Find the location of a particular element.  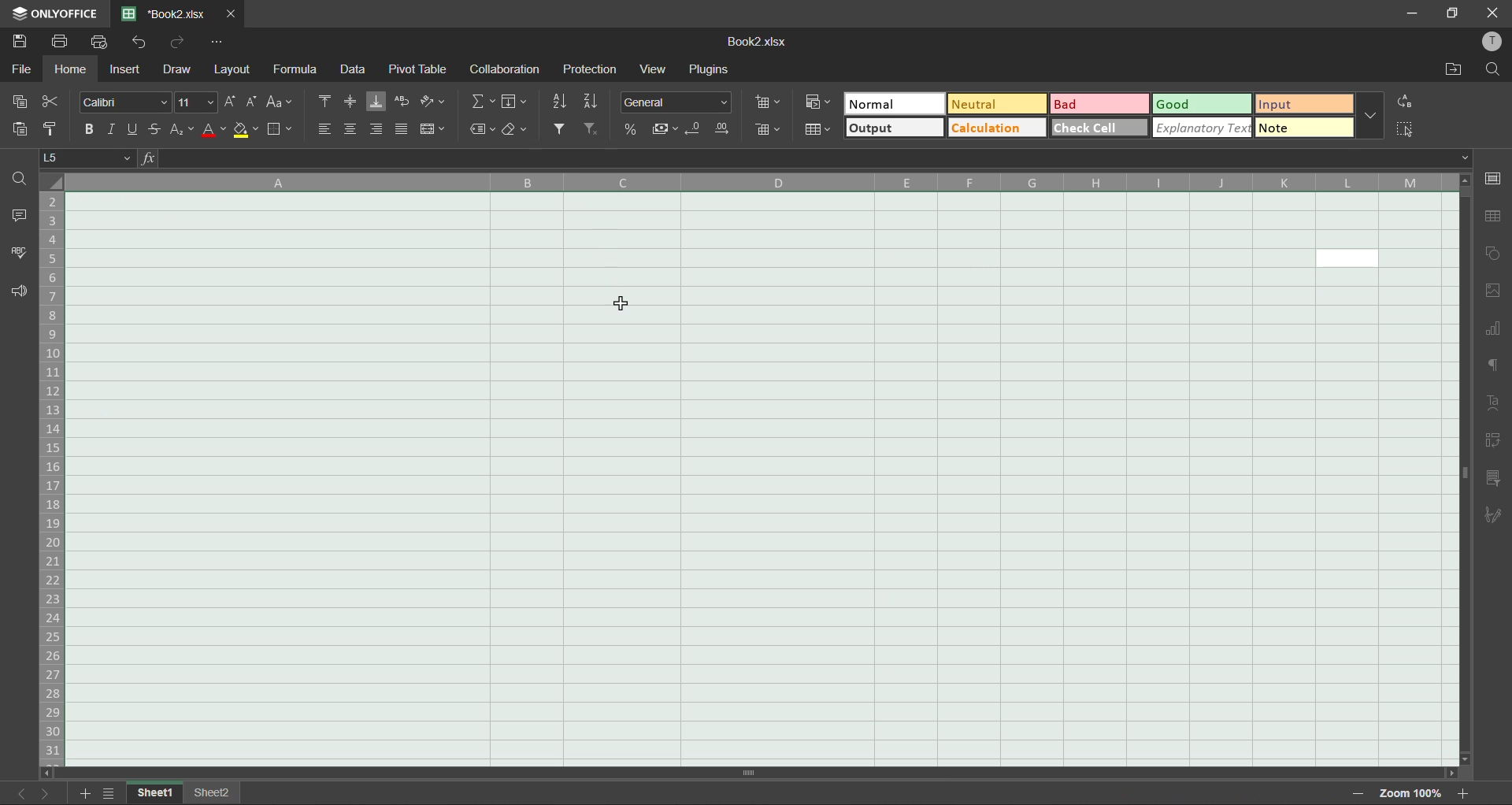

insert cells is located at coordinates (770, 102).